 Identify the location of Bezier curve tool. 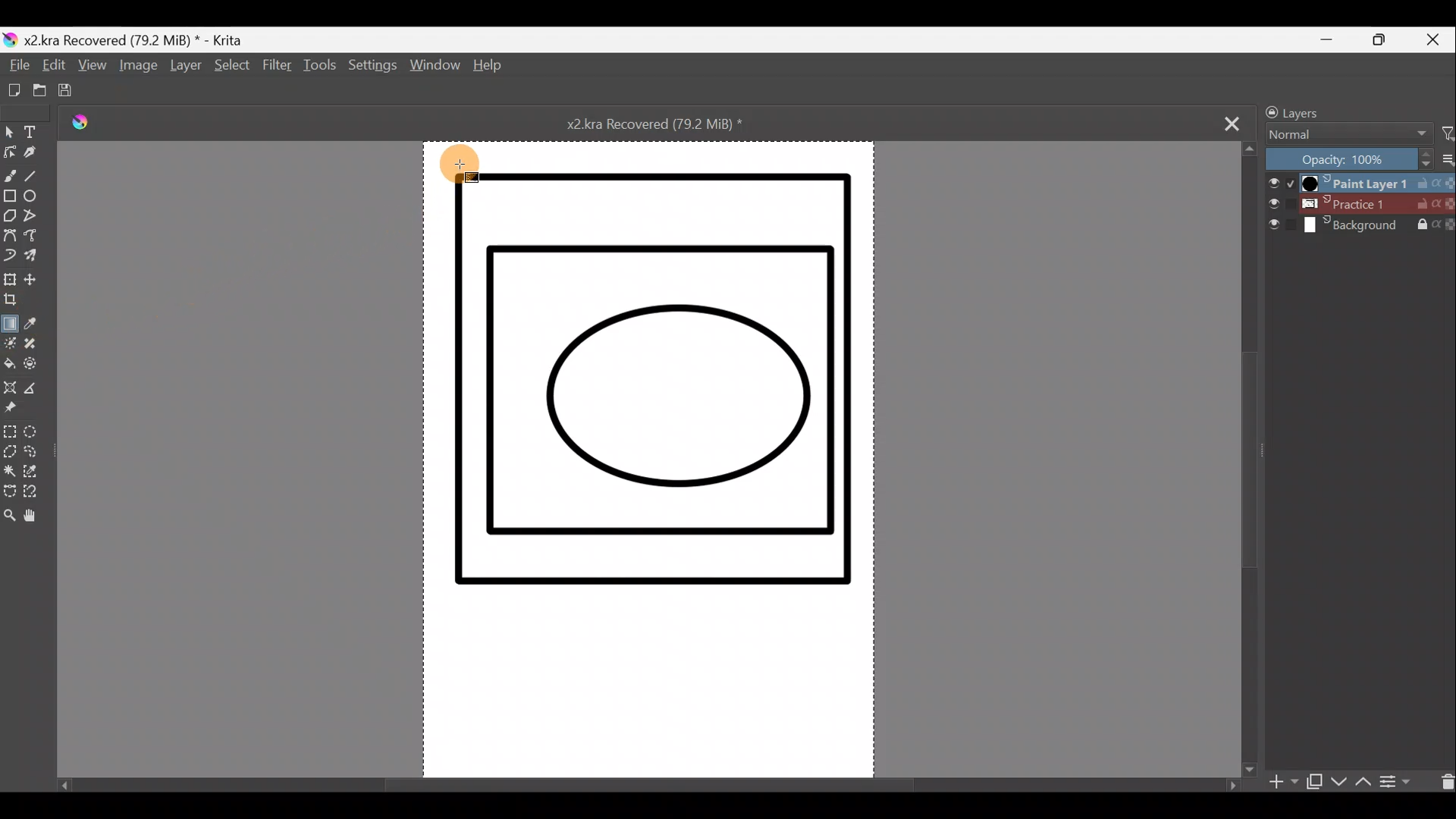
(10, 237).